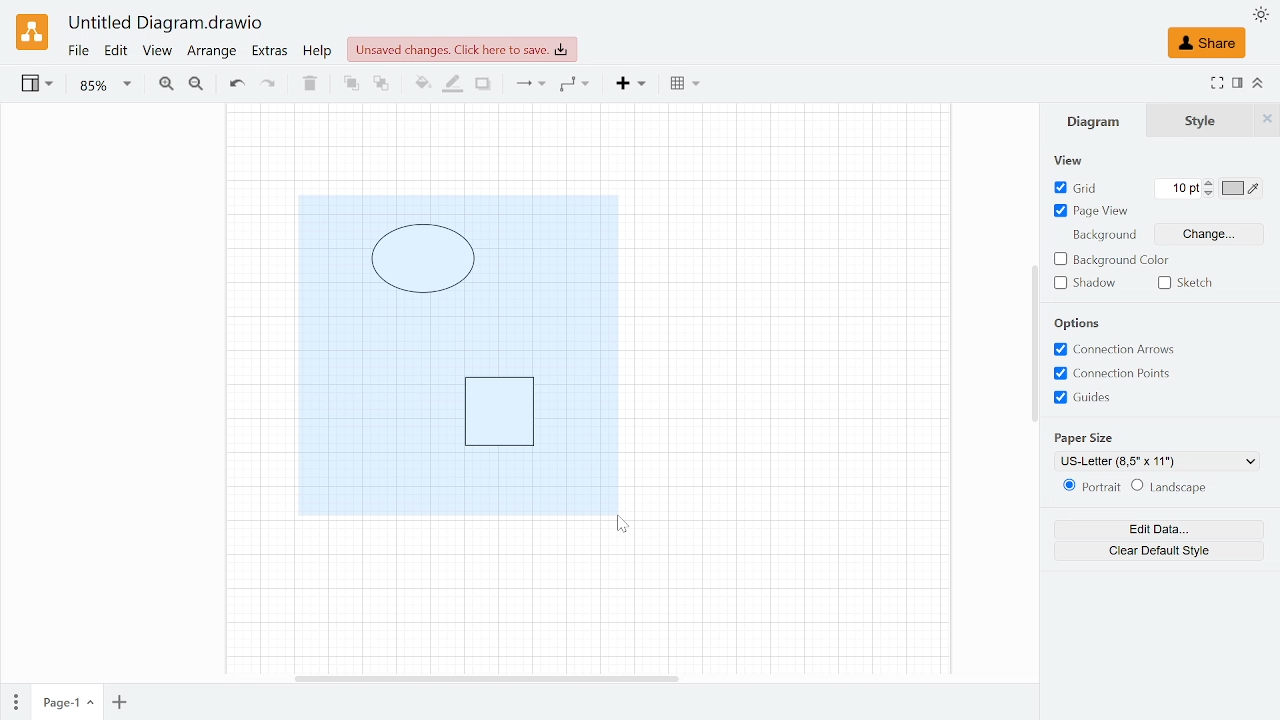 This screenshot has height=720, width=1280. I want to click on Unsaved changes. click here to save, so click(462, 50).